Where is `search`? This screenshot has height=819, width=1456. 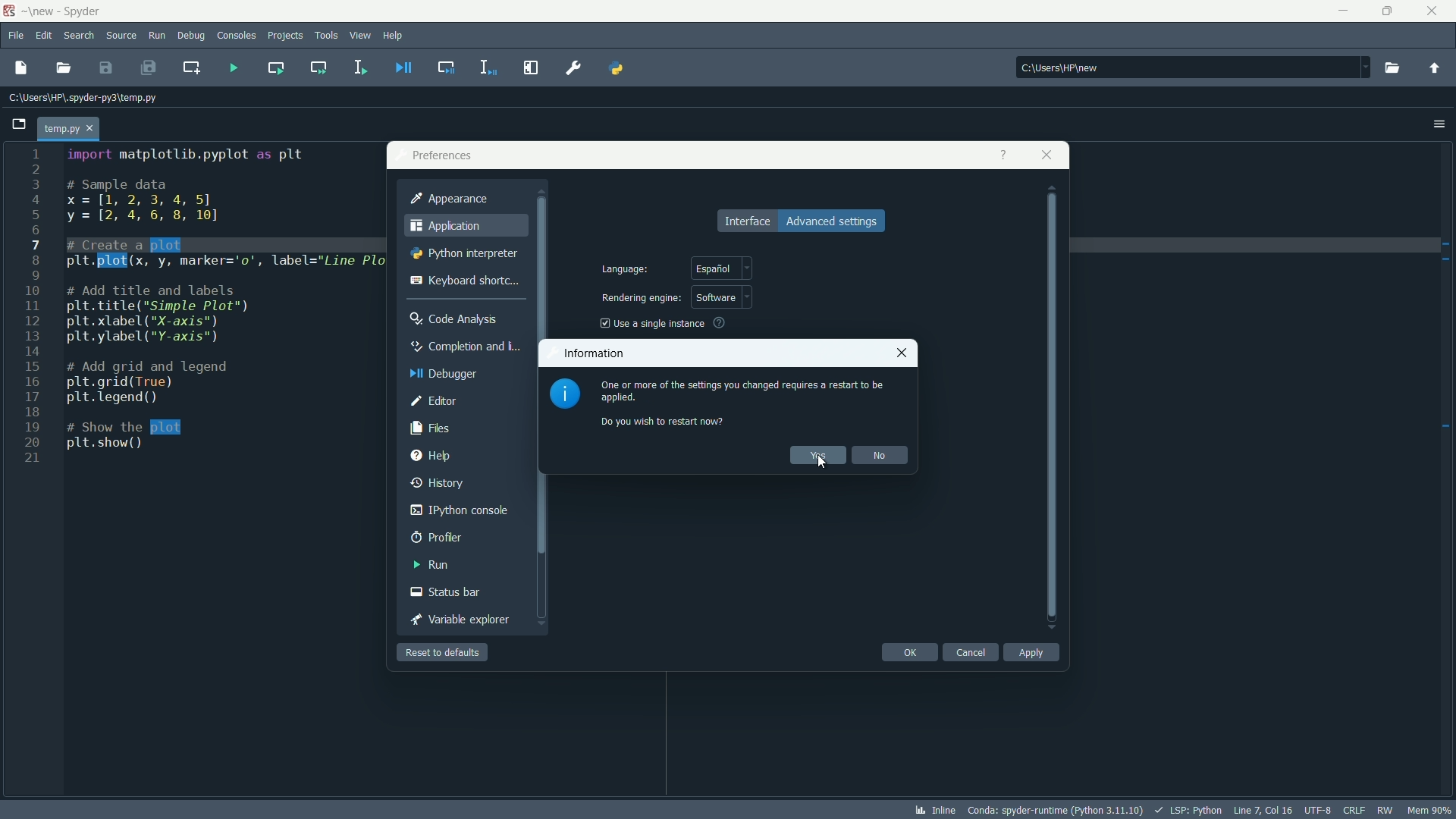 search is located at coordinates (80, 36).